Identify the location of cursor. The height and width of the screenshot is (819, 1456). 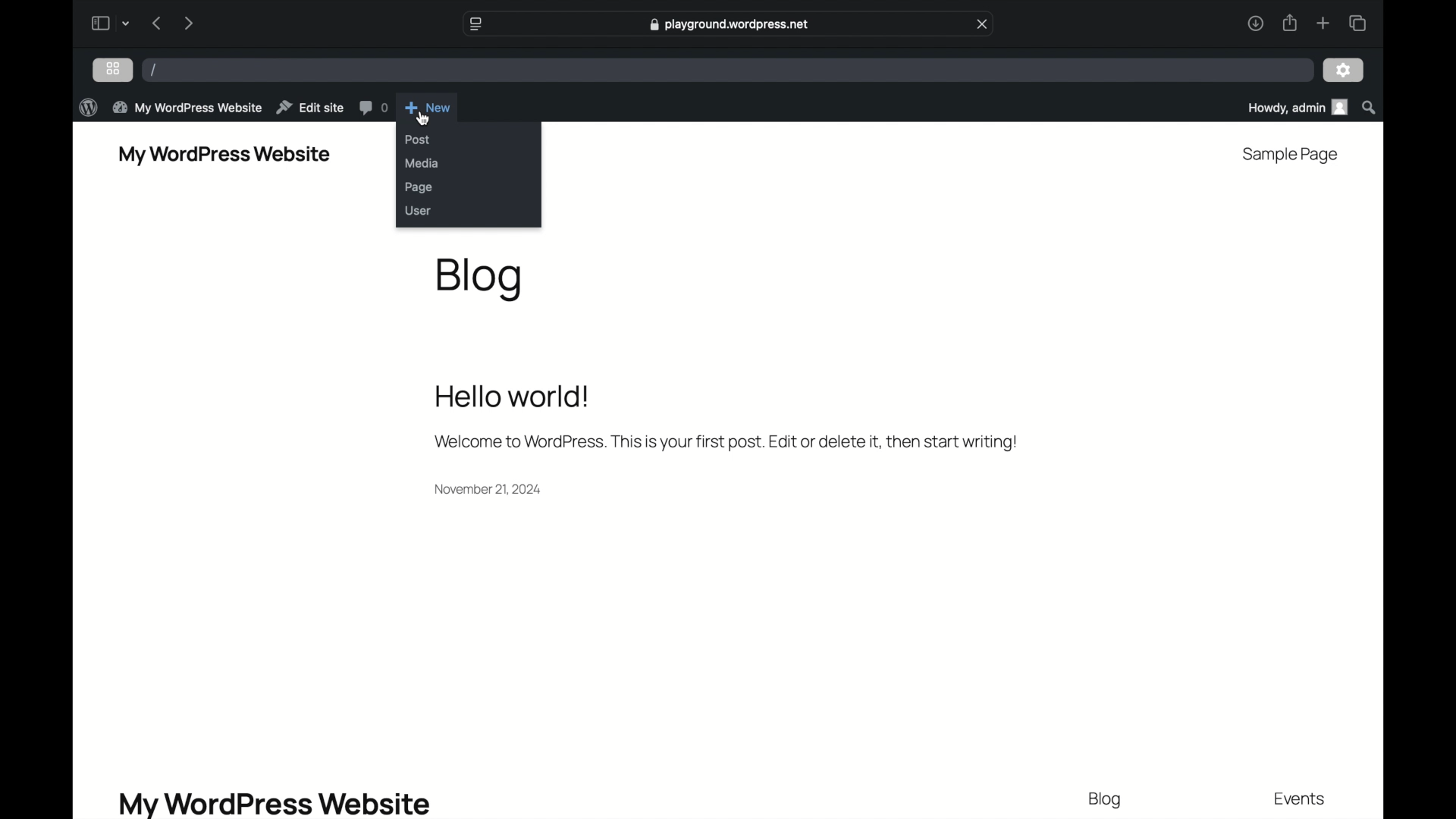
(425, 118).